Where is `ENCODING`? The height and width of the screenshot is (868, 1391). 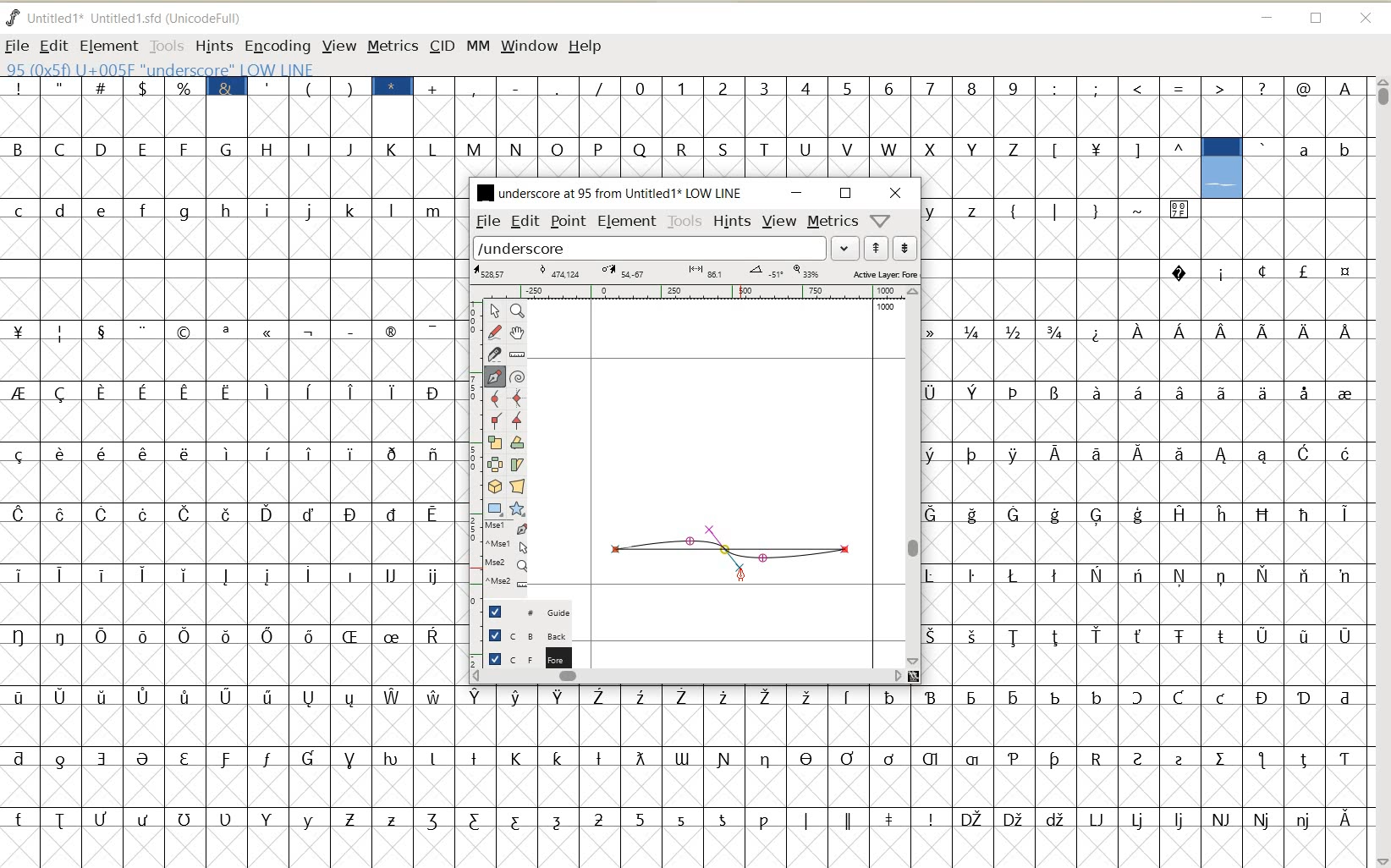
ENCODING is located at coordinates (277, 47).